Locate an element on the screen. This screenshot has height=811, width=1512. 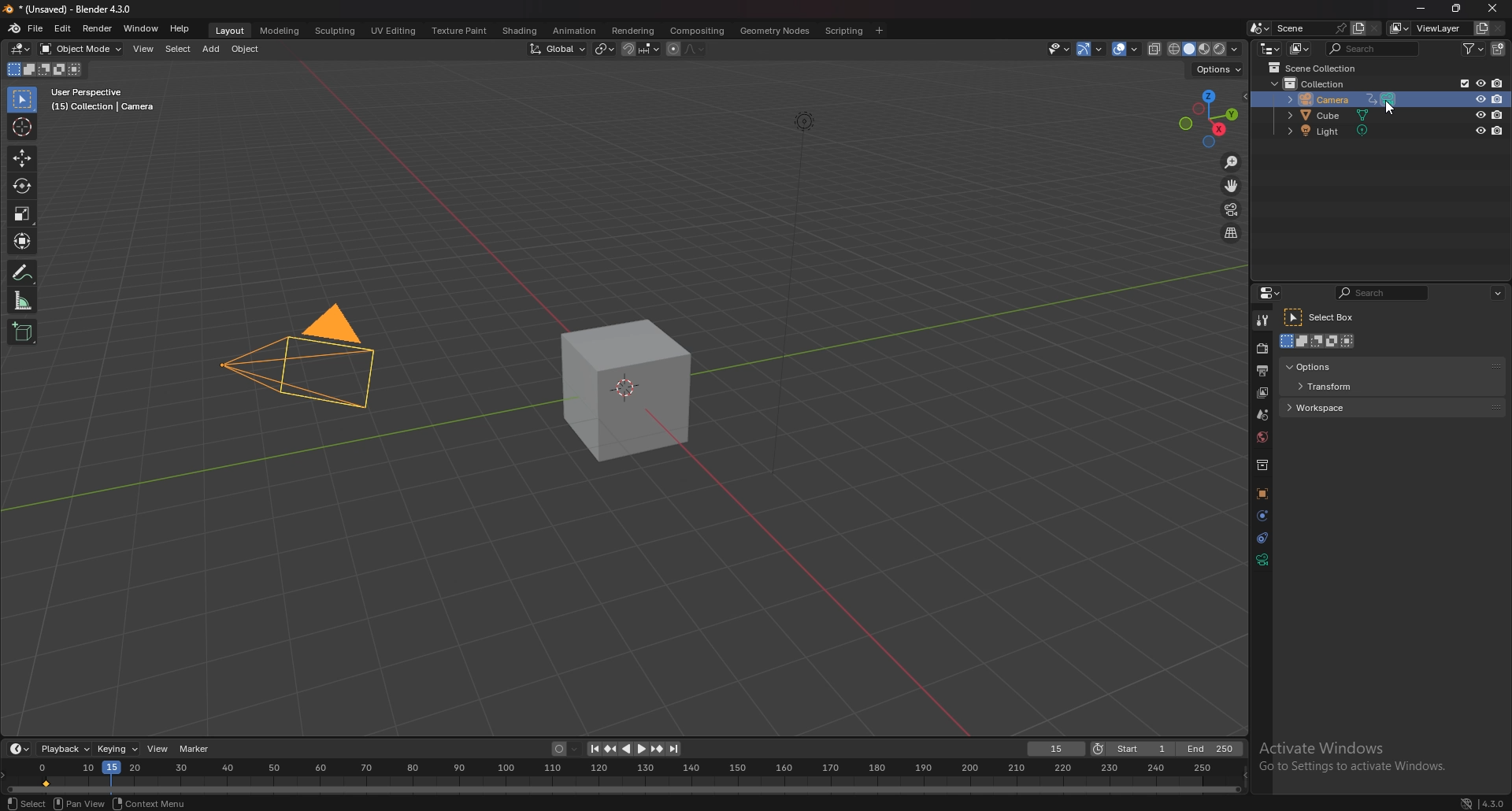
options is located at coordinates (1497, 291).